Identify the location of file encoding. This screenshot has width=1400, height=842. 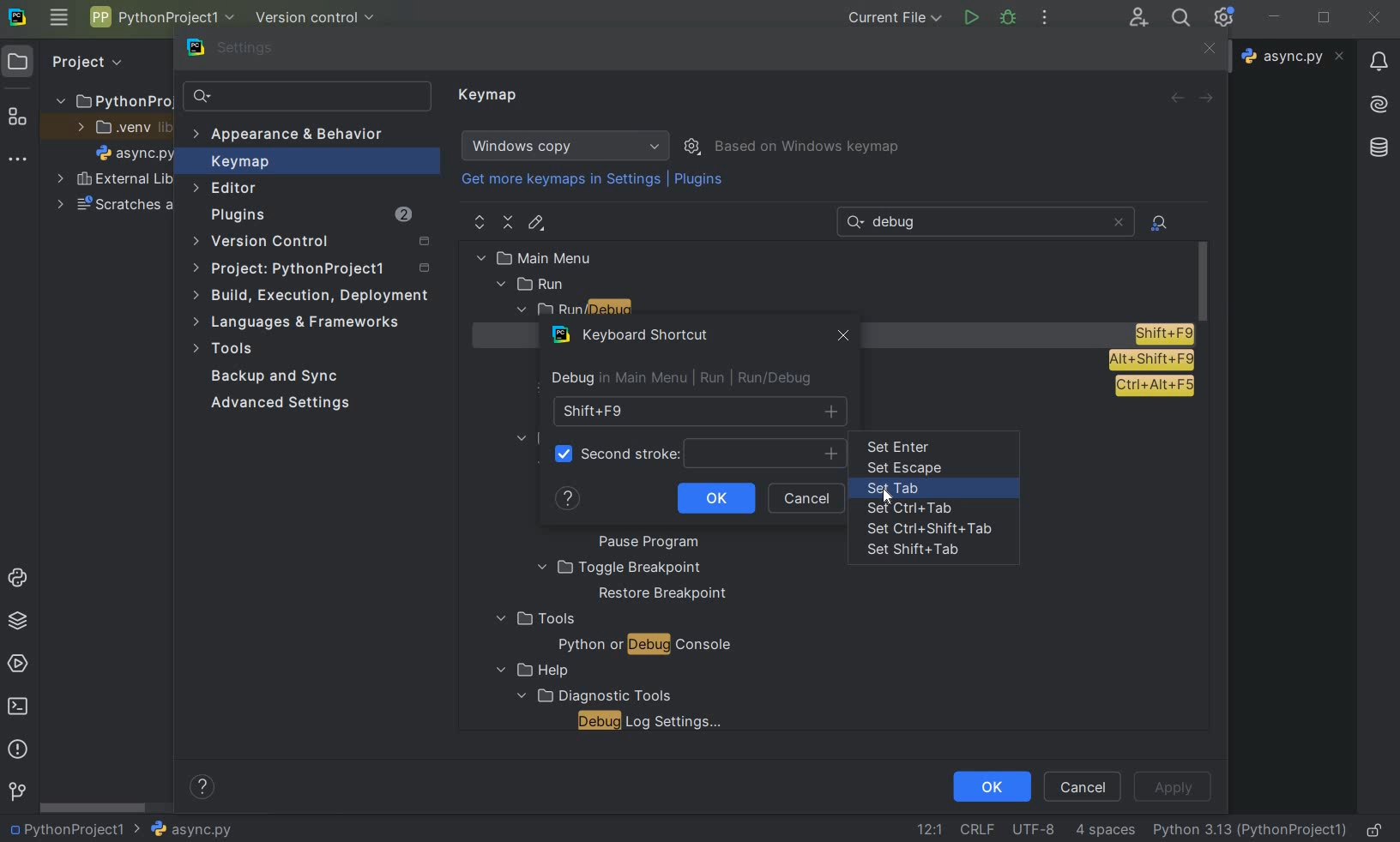
(1035, 828).